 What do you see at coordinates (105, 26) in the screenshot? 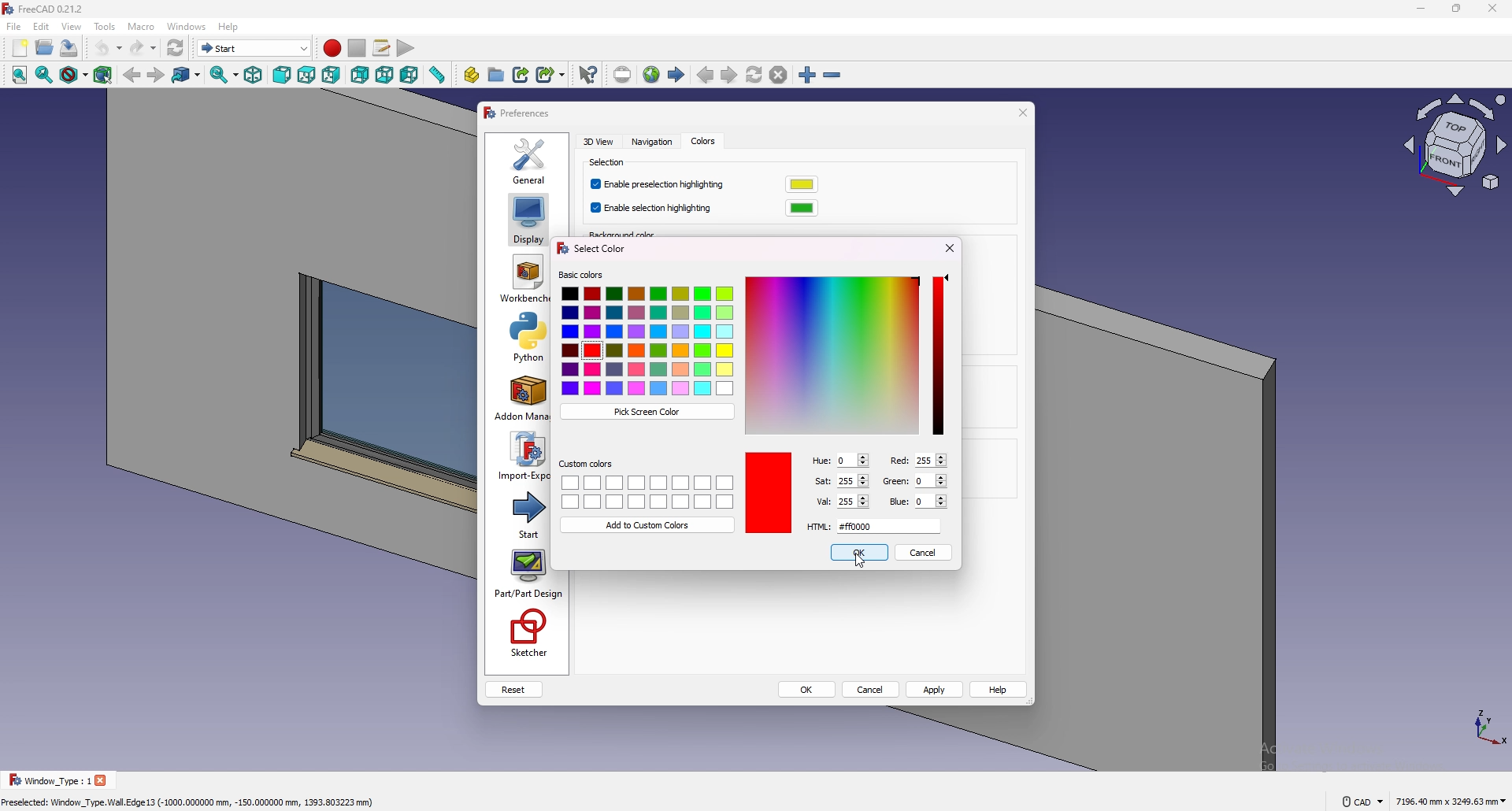
I see `tools` at bounding box center [105, 26].